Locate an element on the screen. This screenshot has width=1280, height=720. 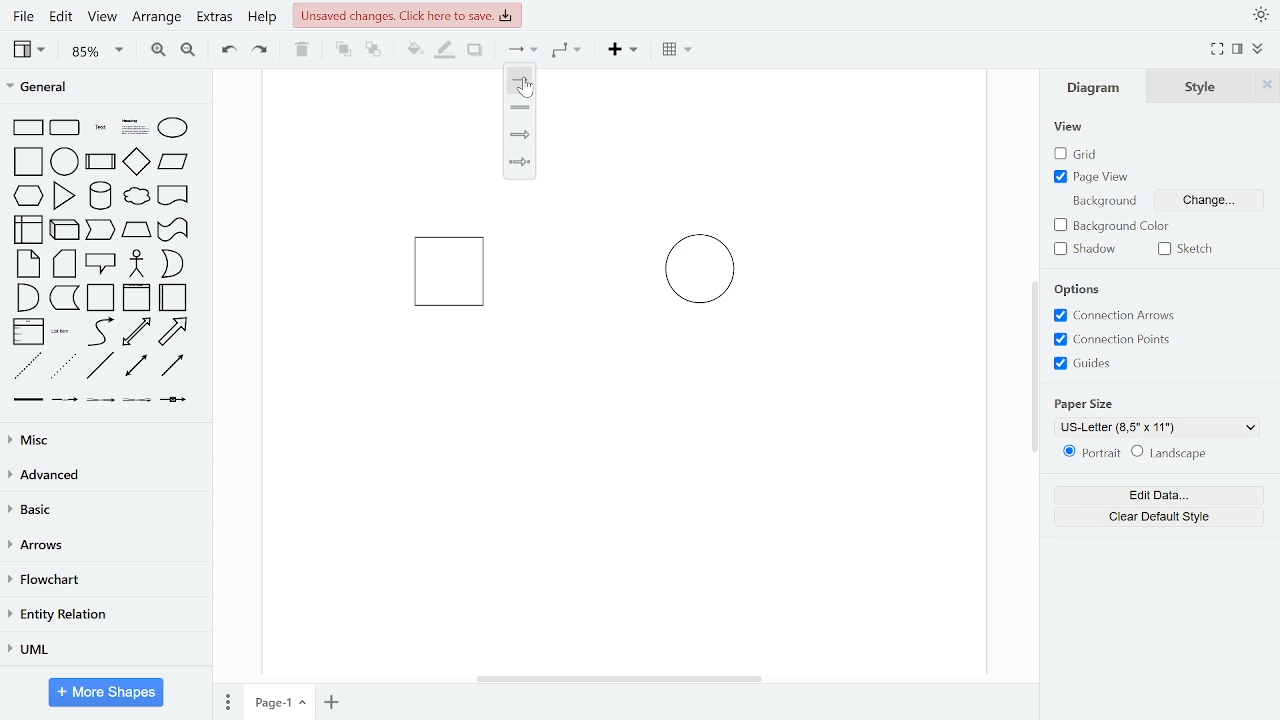
dashed line is located at coordinates (28, 367).